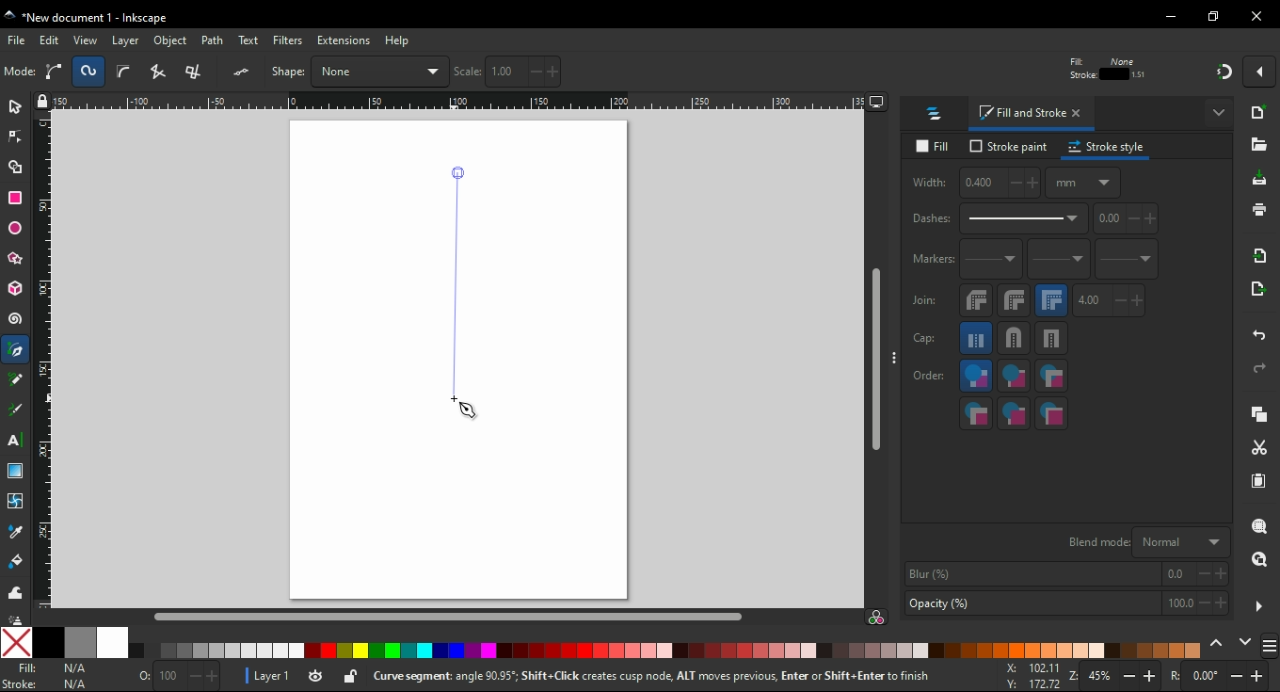  Describe the element at coordinates (1027, 650) in the screenshot. I see `color tone pallete` at that location.